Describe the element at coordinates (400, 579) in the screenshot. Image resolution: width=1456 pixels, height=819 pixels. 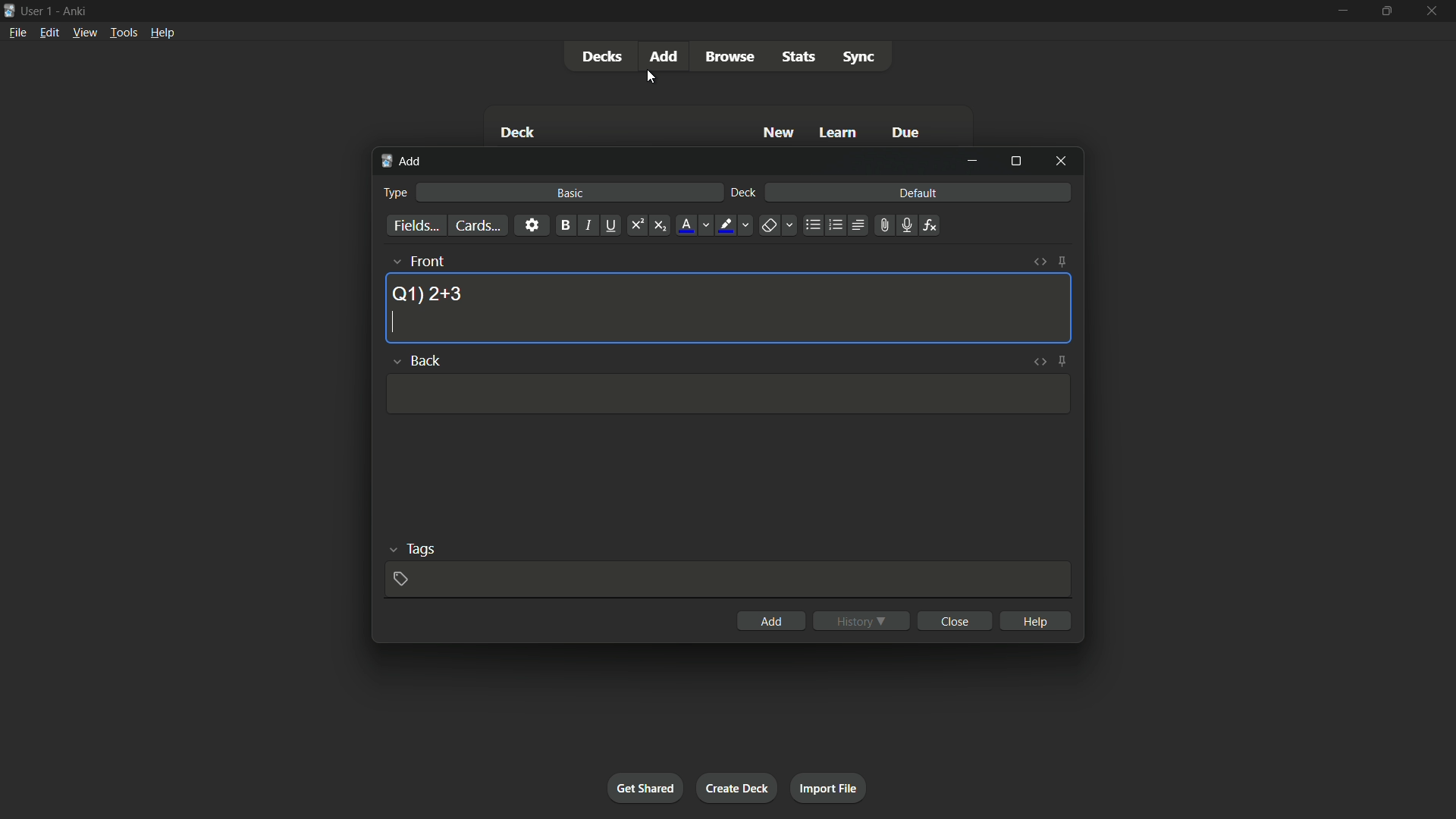
I see `add tag` at that location.